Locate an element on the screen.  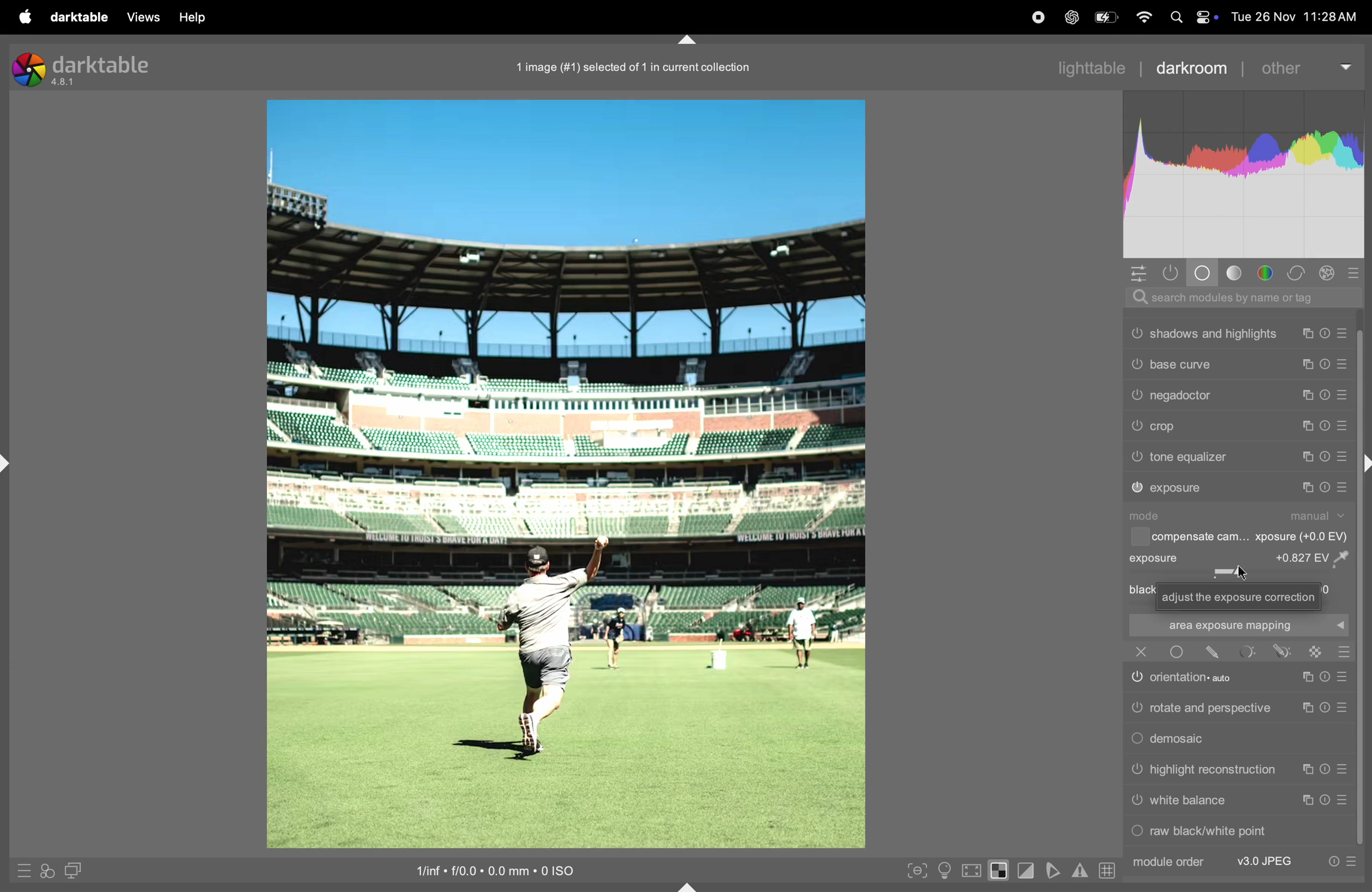
close is located at coordinates (1141, 651).